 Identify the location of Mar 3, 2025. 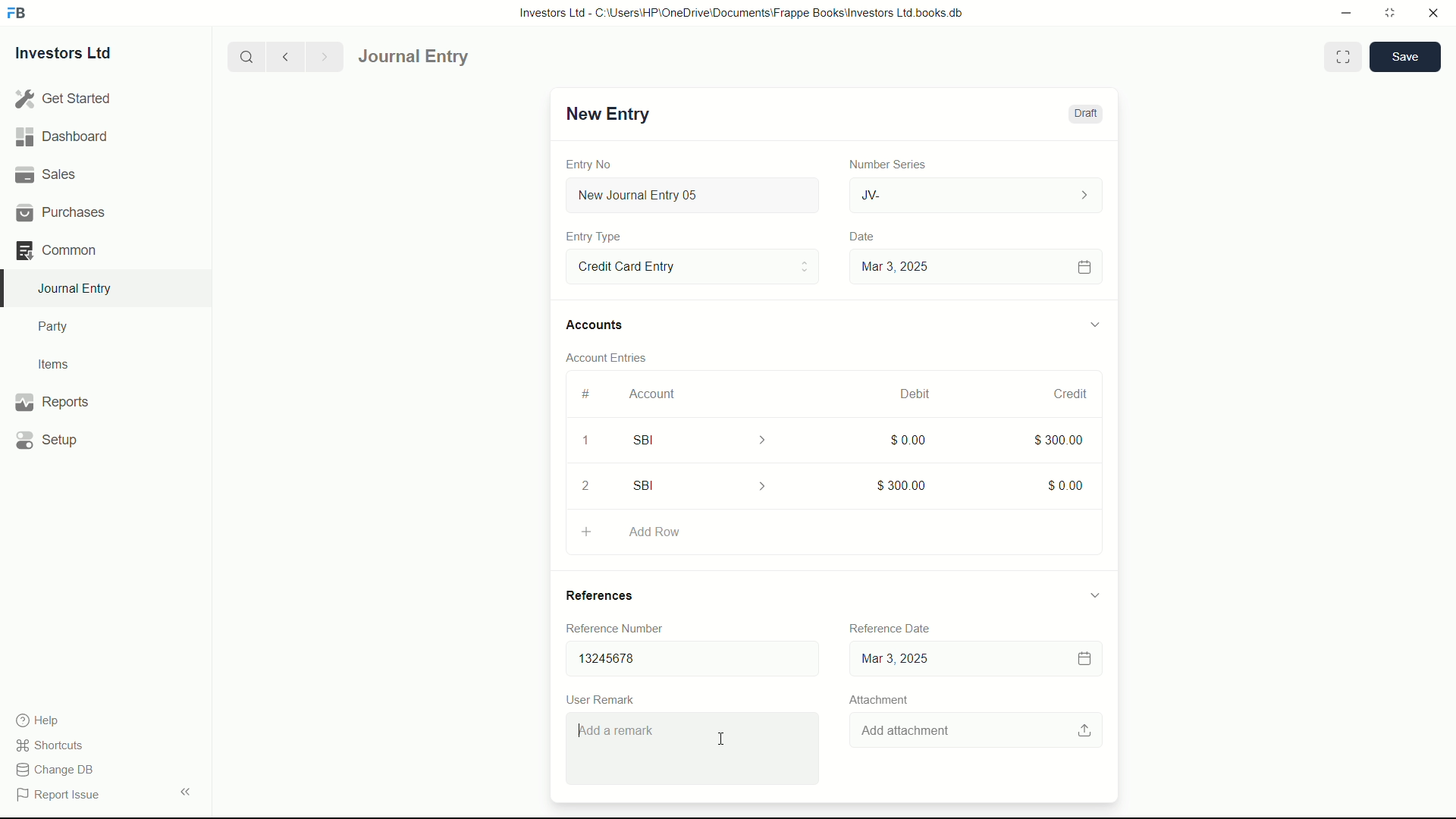
(974, 266).